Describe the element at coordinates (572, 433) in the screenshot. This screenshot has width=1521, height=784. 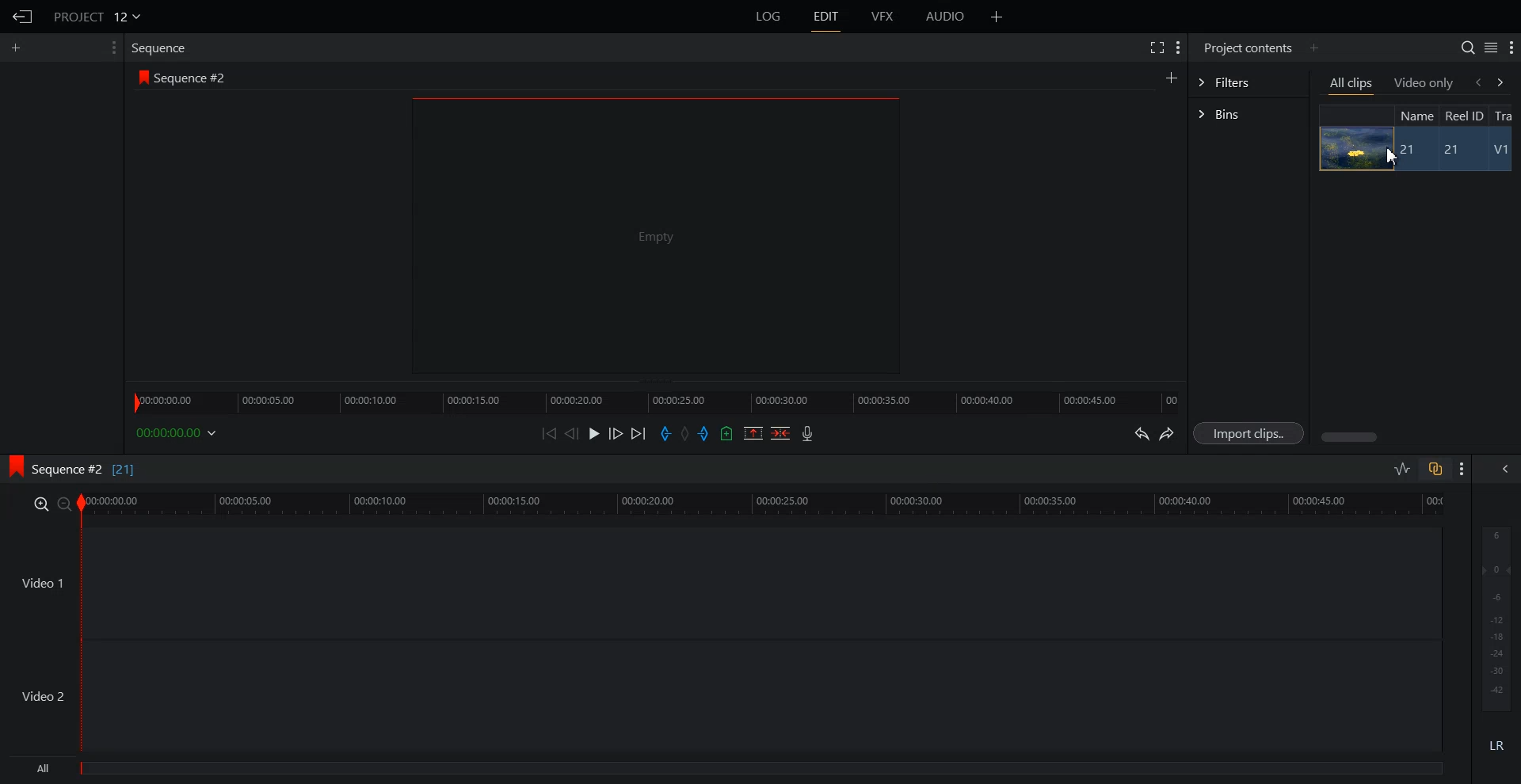
I see `Nurse one frame back` at that location.